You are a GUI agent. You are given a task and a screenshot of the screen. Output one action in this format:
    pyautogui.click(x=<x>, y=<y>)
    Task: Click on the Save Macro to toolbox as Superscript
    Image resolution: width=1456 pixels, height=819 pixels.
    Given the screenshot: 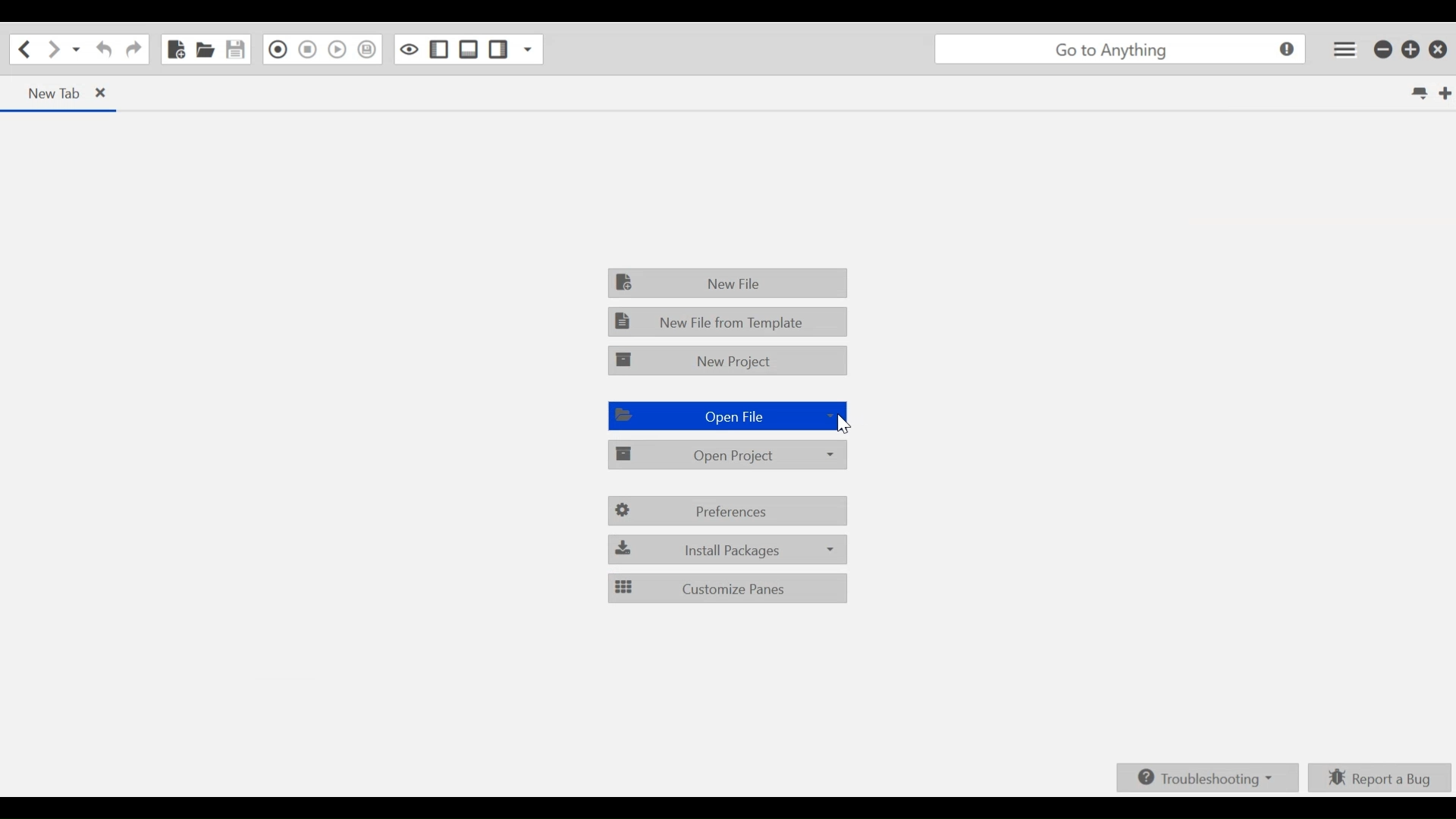 What is the action you would take?
    pyautogui.click(x=367, y=50)
    